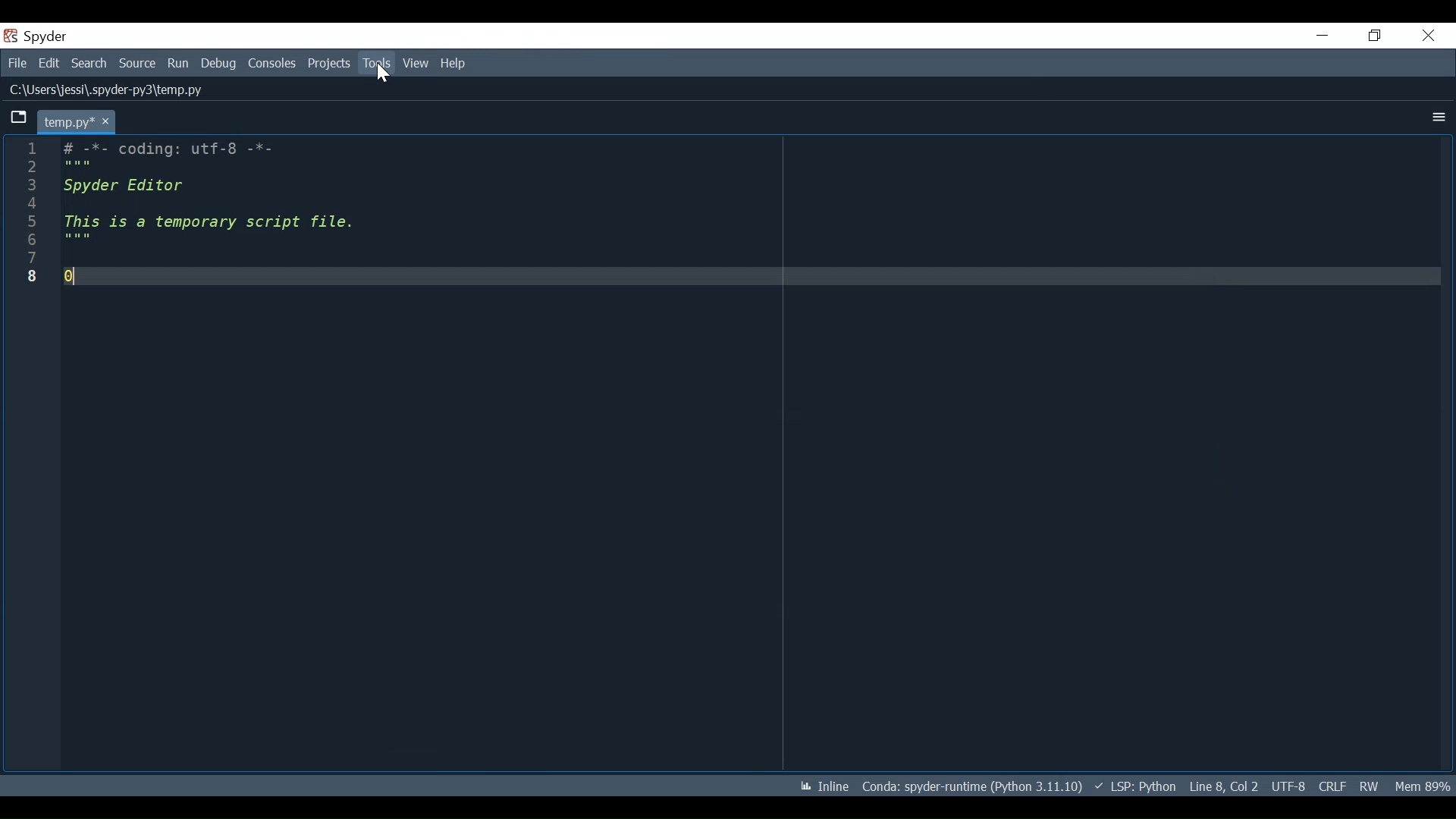 The width and height of the screenshot is (1456, 819). I want to click on Conda Environment Indicator, so click(972, 784).